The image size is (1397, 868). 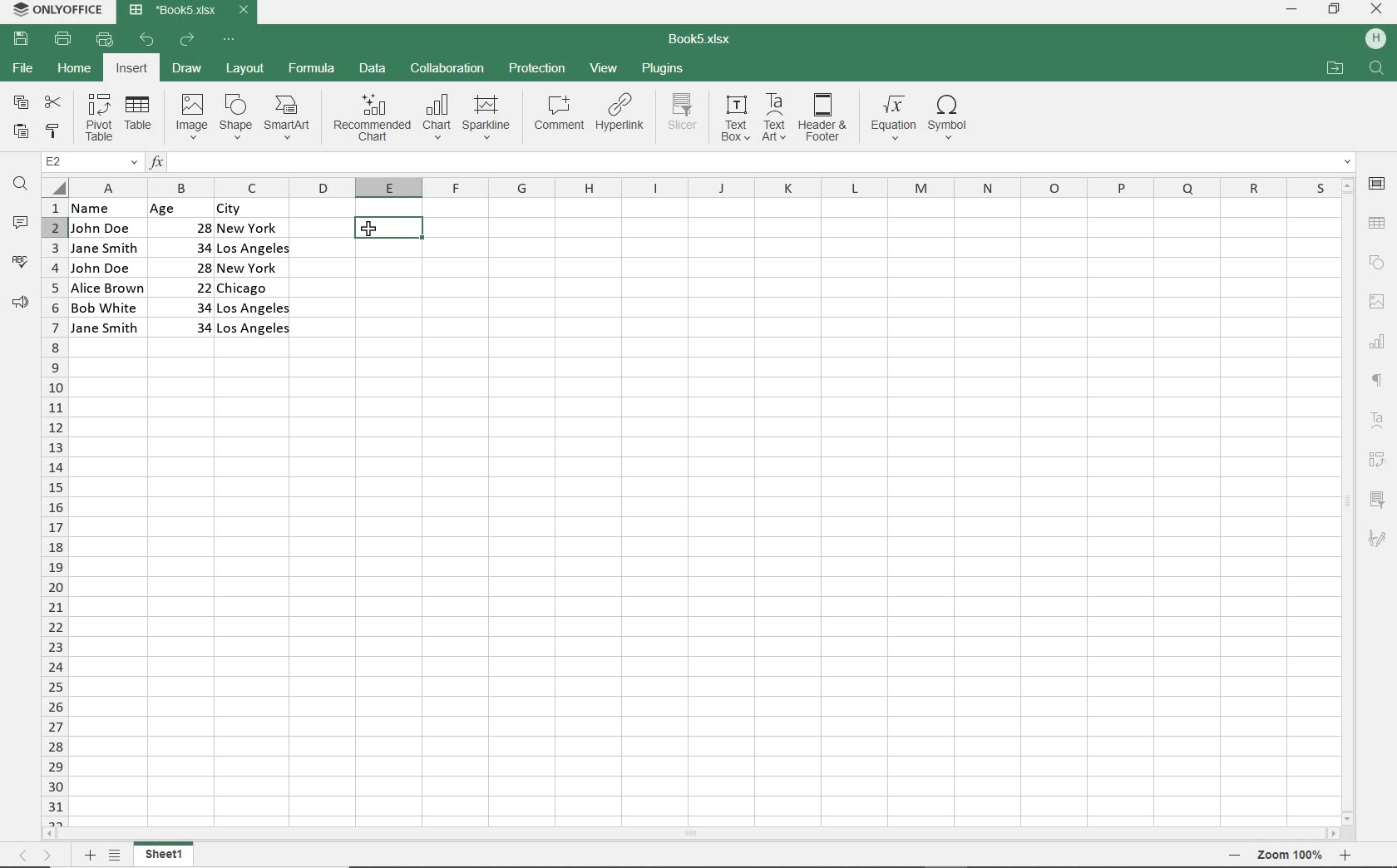 I want to click on Bob White, so click(x=107, y=306).